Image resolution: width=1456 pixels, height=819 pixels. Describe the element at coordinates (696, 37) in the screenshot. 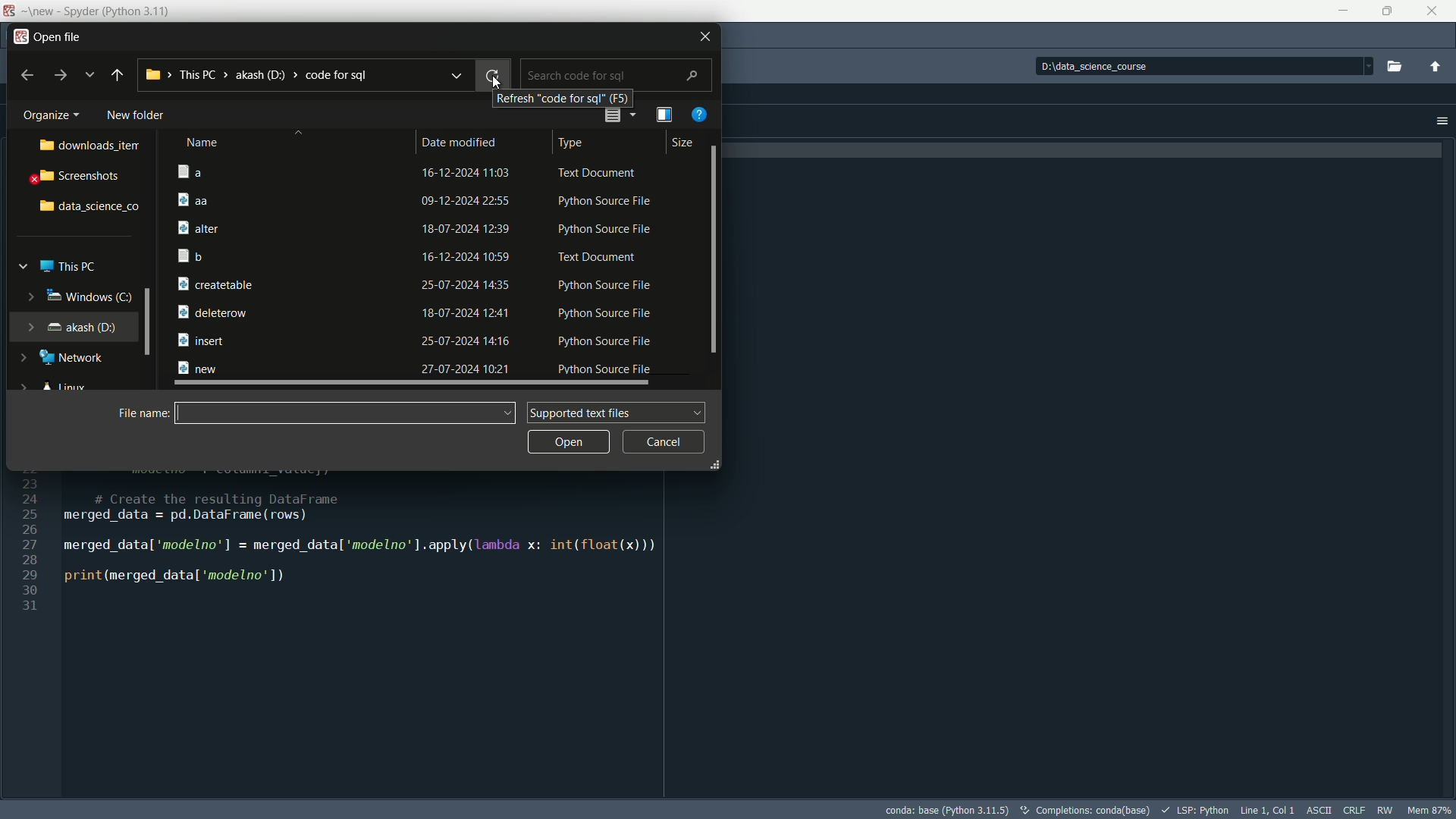

I see `close` at that location.